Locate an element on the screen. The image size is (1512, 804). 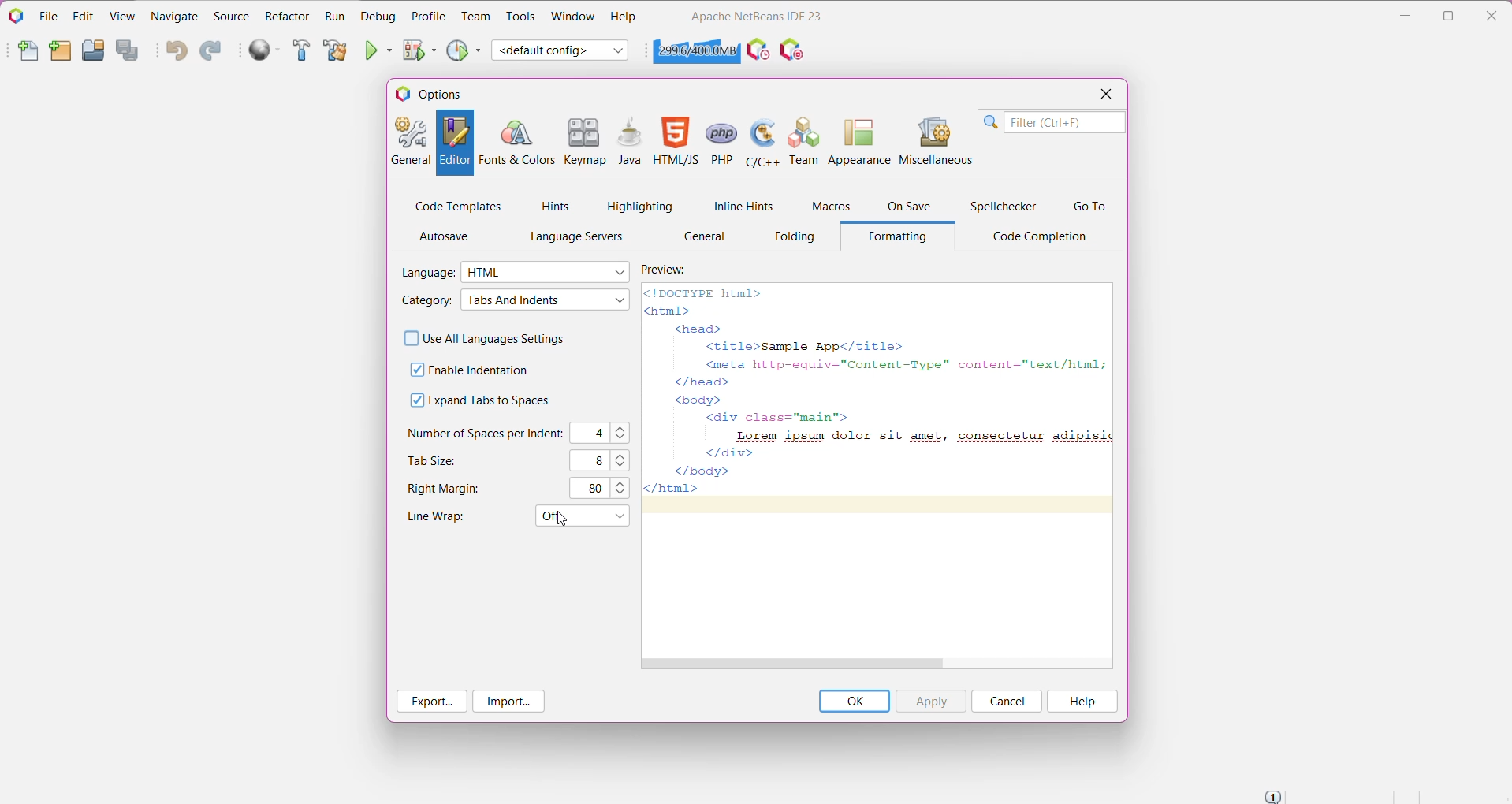
logo is located at coordinates (397, 95).